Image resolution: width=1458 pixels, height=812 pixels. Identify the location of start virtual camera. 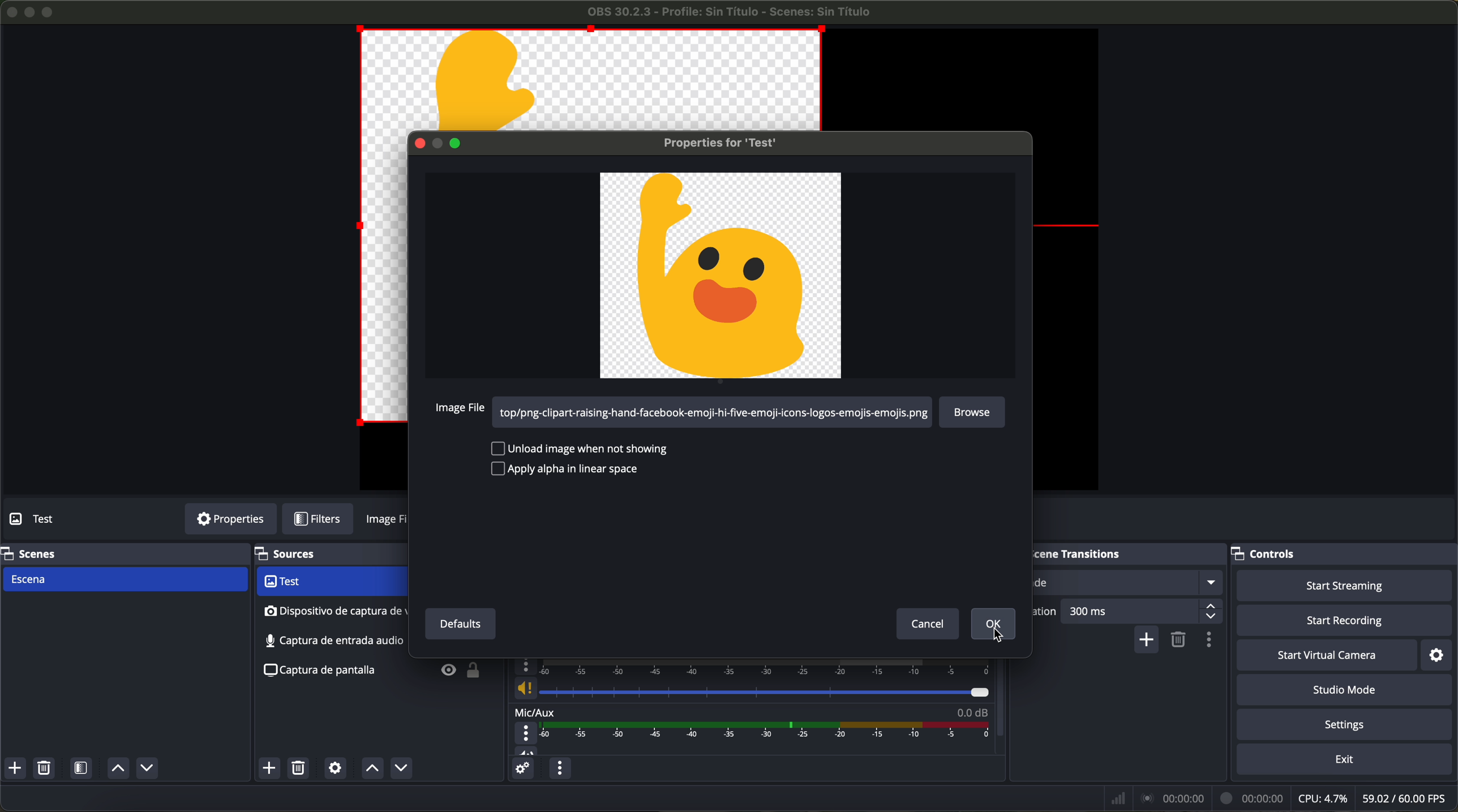
(1327, 655).